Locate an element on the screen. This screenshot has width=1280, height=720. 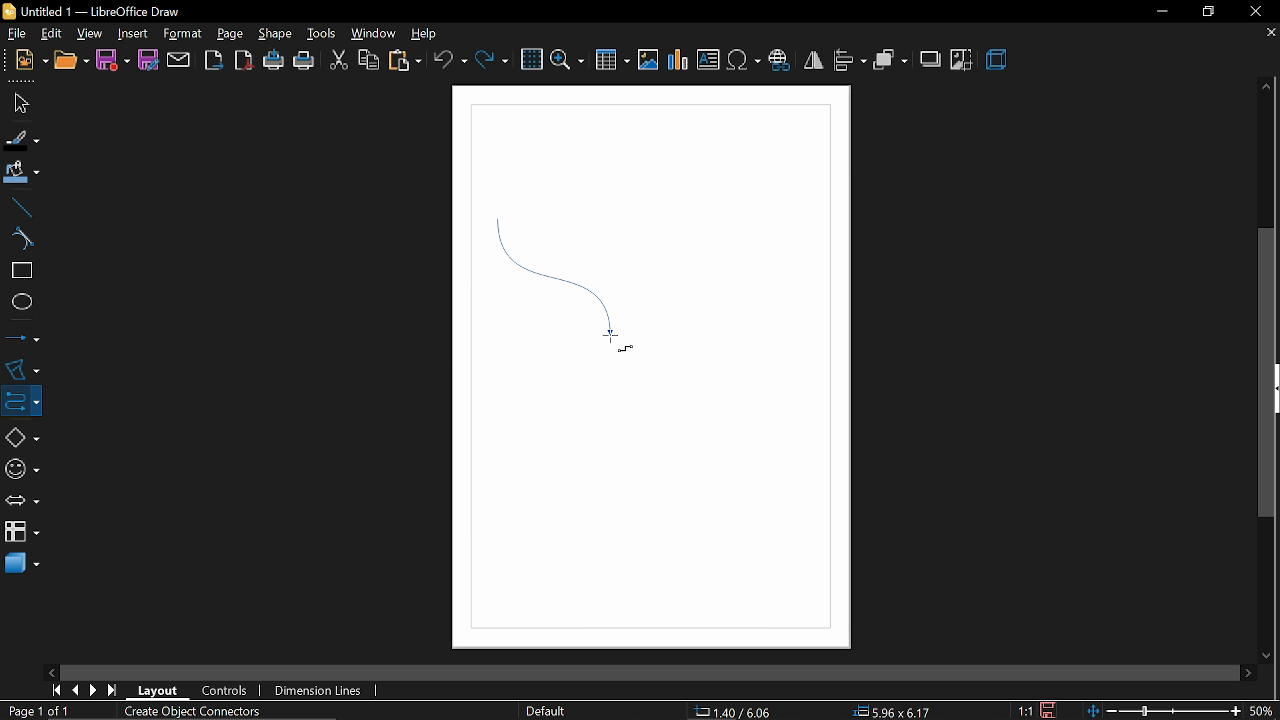
shape is located at coordinates (272, 33).